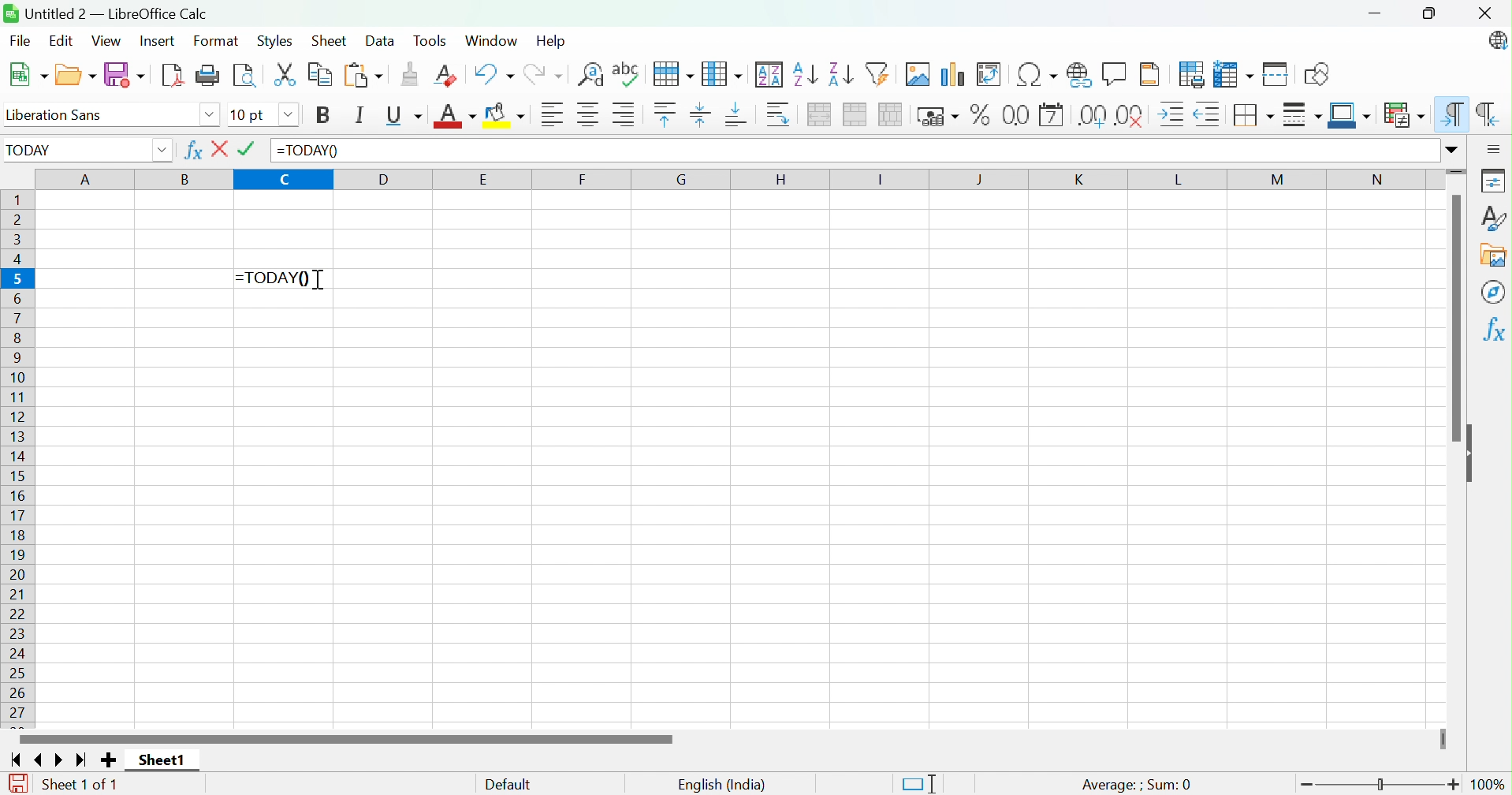  I want to click on File, so click(20, 43).